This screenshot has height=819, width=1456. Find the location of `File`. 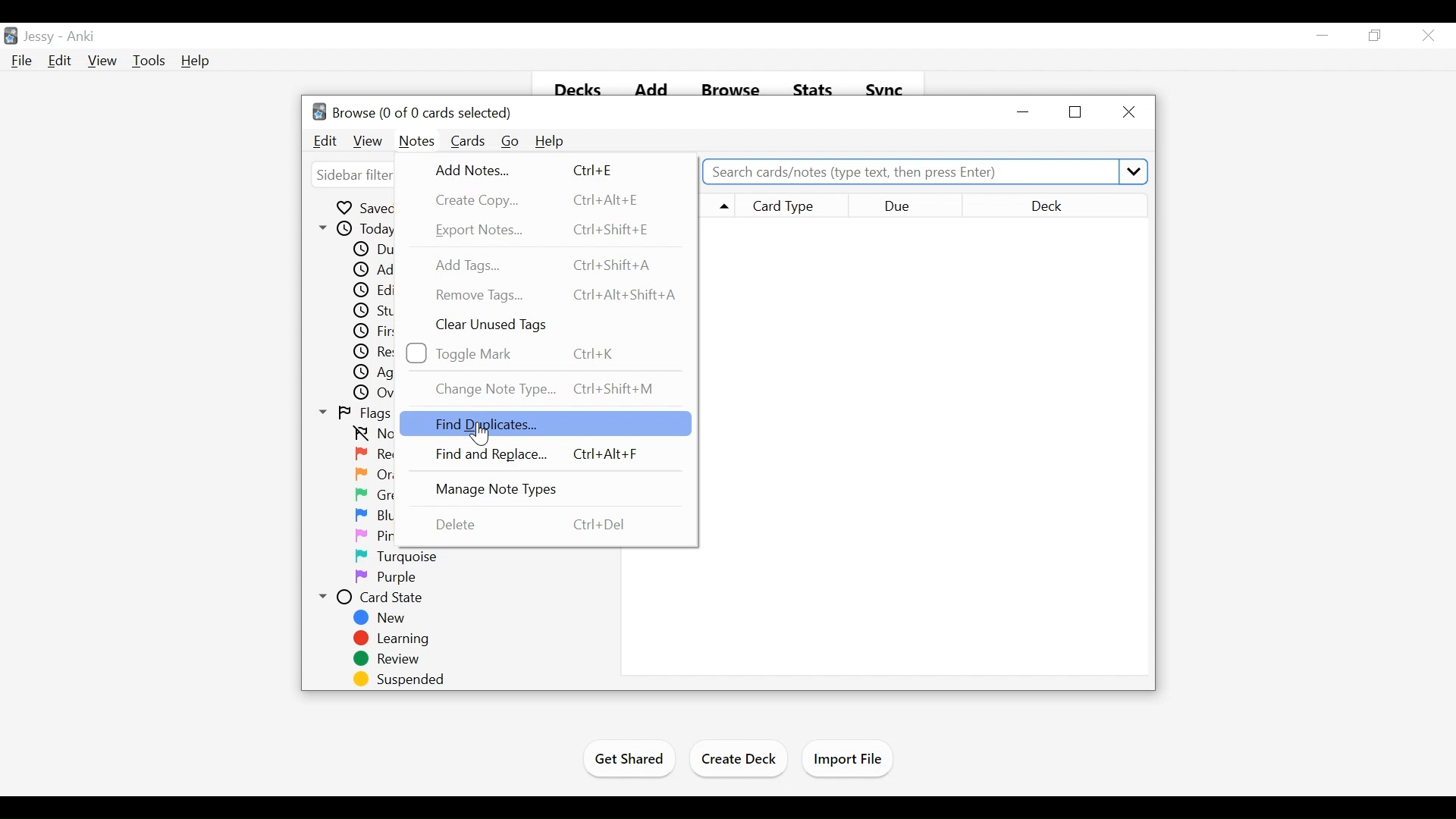

File is located at coordinates (21, 60).